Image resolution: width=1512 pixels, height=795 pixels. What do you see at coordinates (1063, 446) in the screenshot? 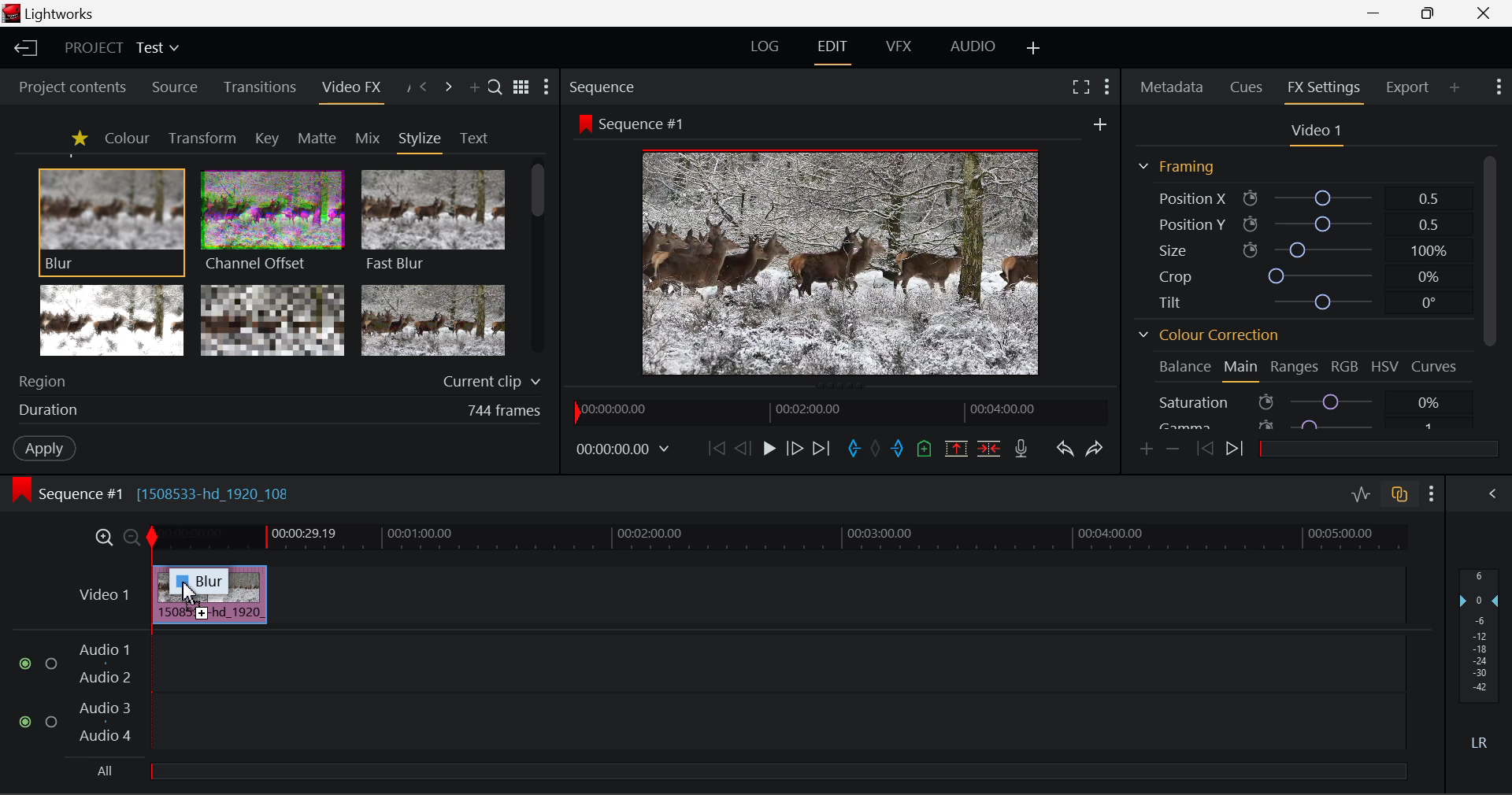
I see `Undo` at bounding box center [1063, 446].